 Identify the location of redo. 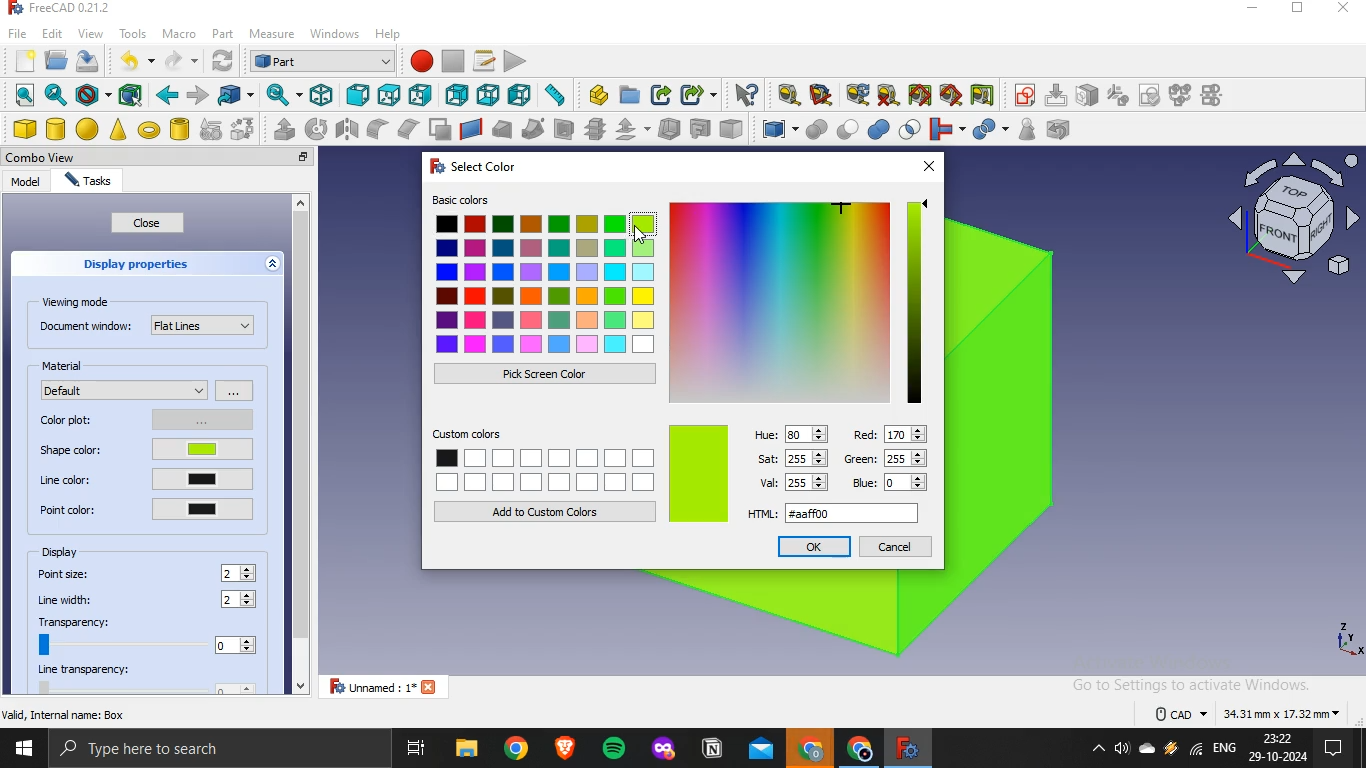
(174, 61).